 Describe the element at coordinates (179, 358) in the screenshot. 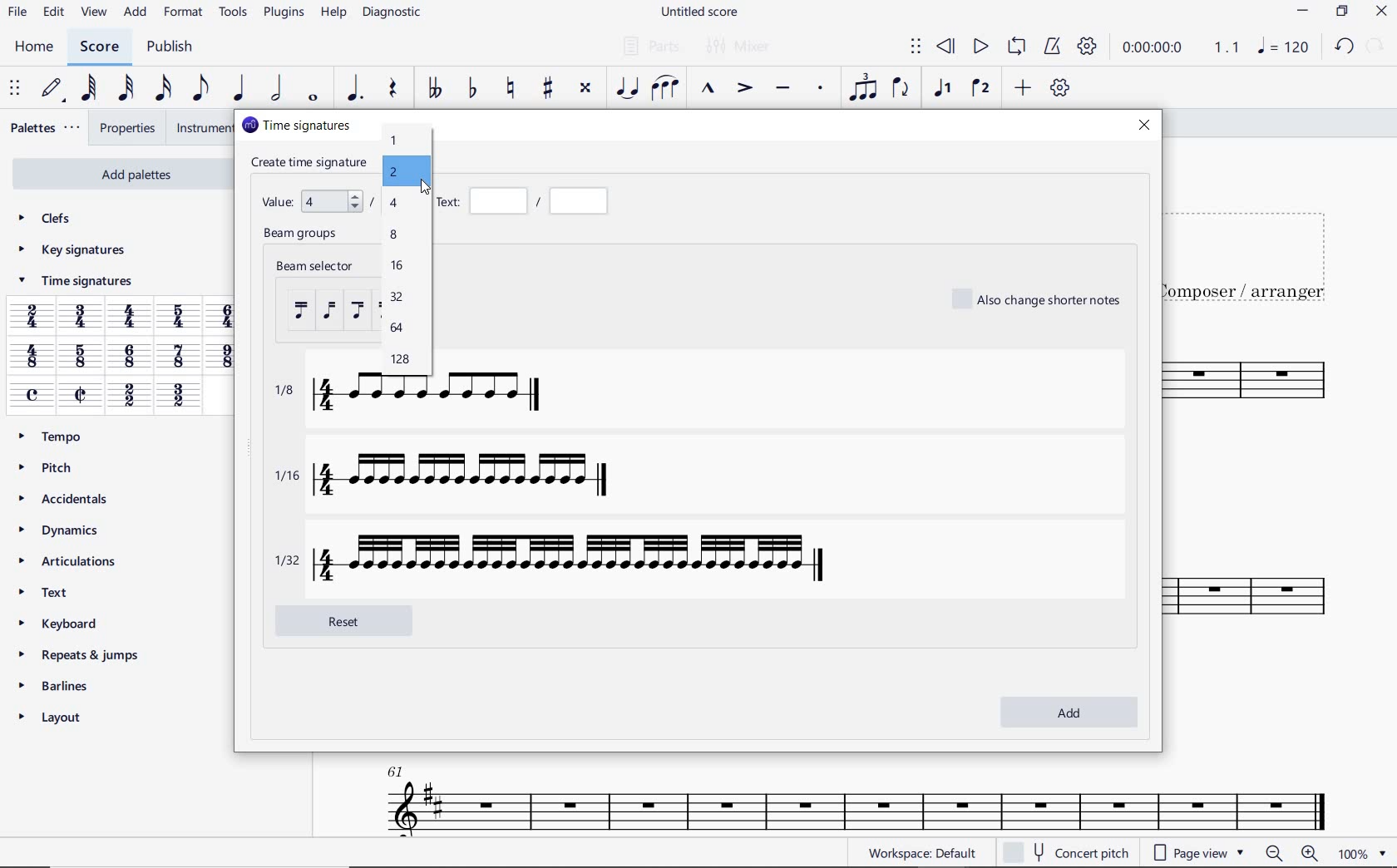

I see `7/8` at that location.